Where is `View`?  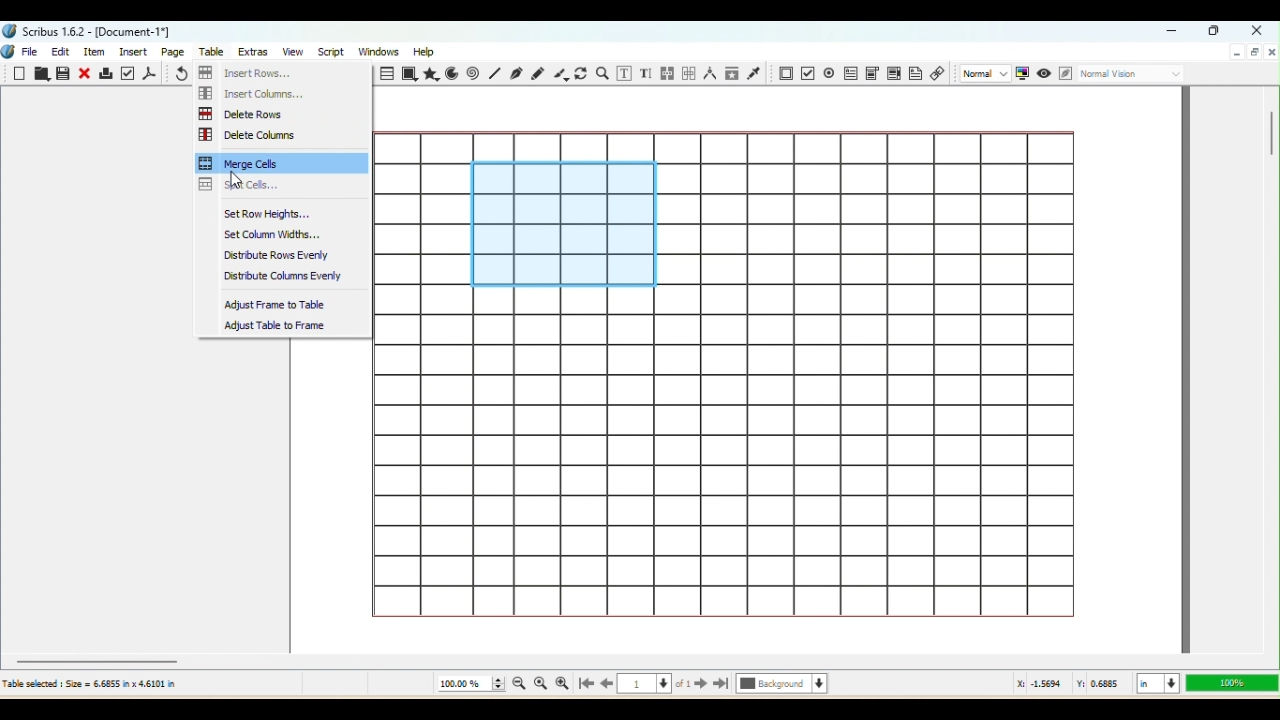 View is located at coordinates (290, 52).